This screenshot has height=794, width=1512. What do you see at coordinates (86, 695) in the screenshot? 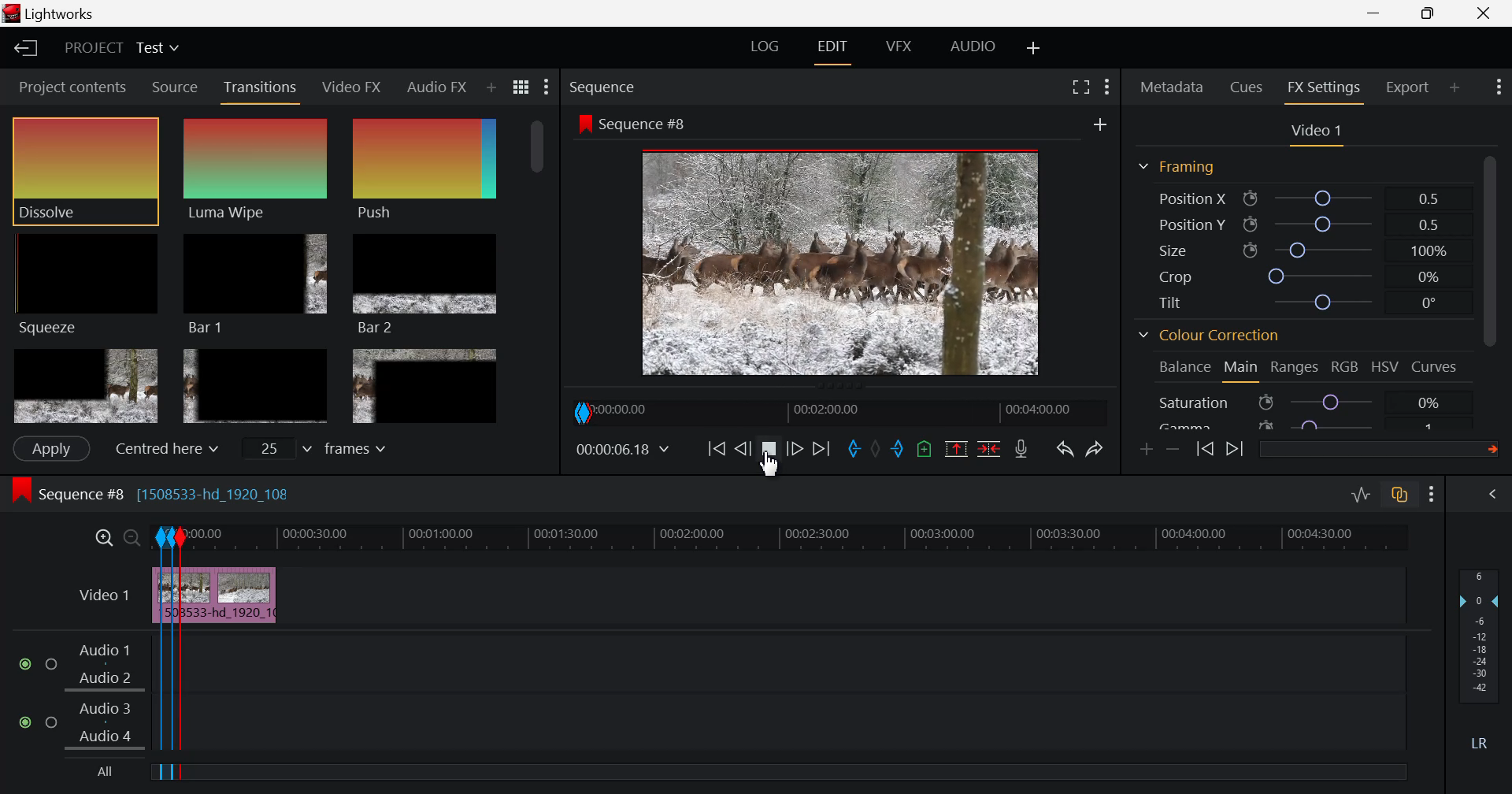
I see `Audio Layers Input` at bounding box center [86, 695].